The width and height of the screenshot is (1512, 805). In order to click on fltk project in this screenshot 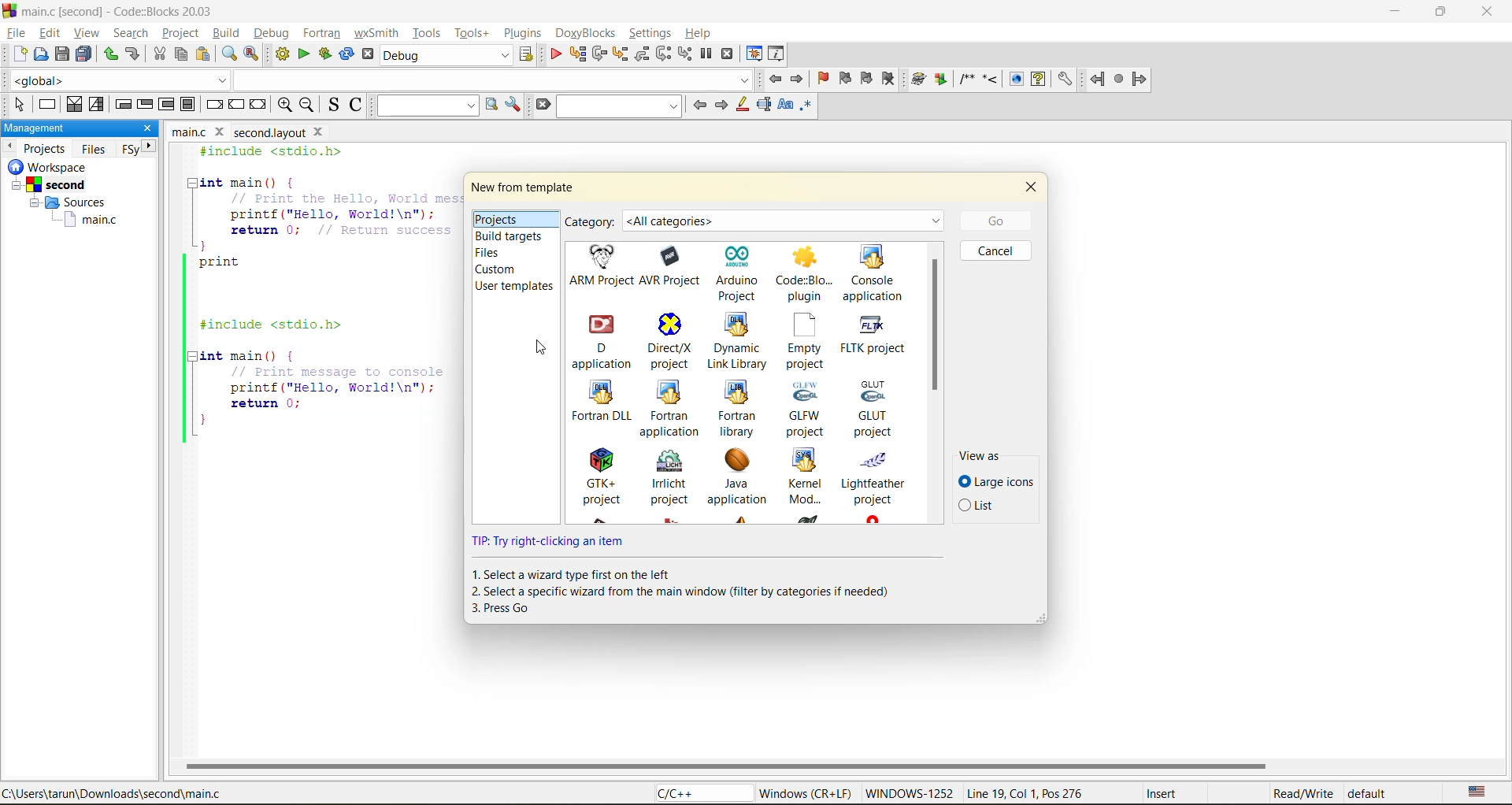, I will do `click(877, 342)`.